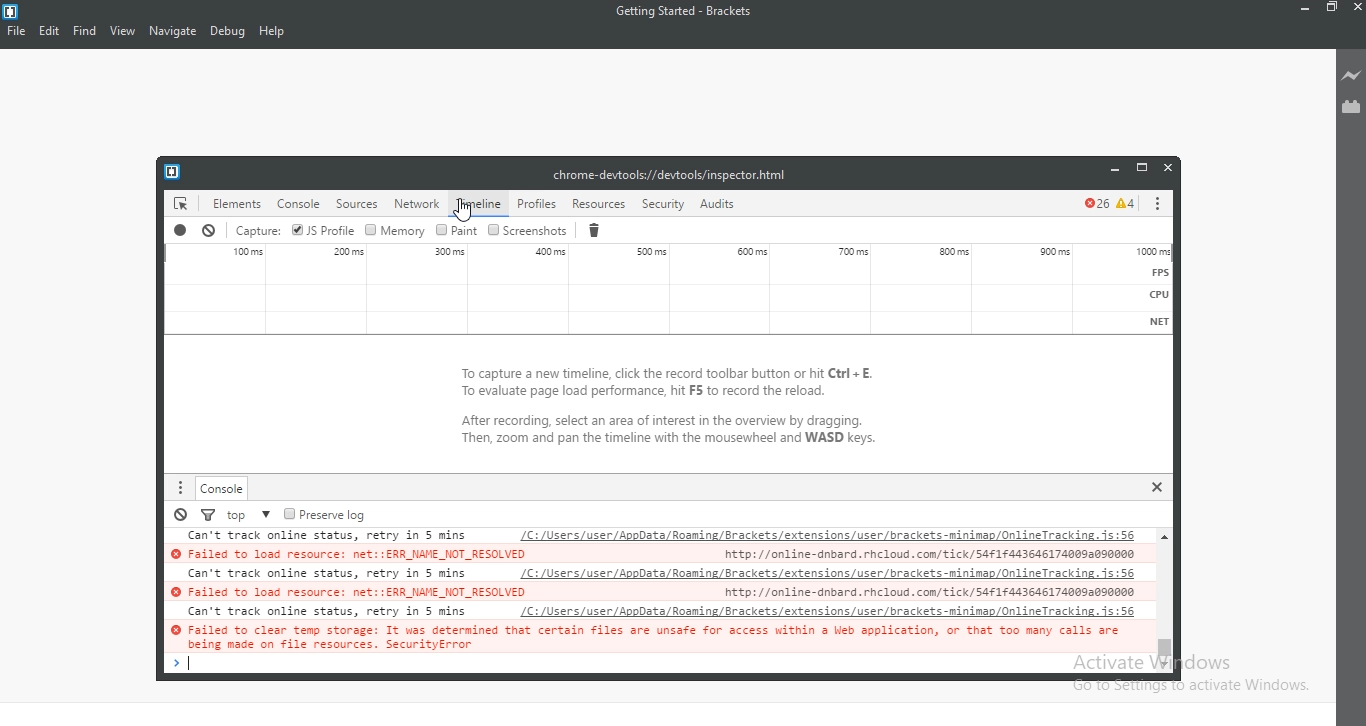 This screenshot has width=1366, height=726. What do you see at coordinates (180, 513) in the screenshot?
I see `Pause` at bounding box center [180, 513].